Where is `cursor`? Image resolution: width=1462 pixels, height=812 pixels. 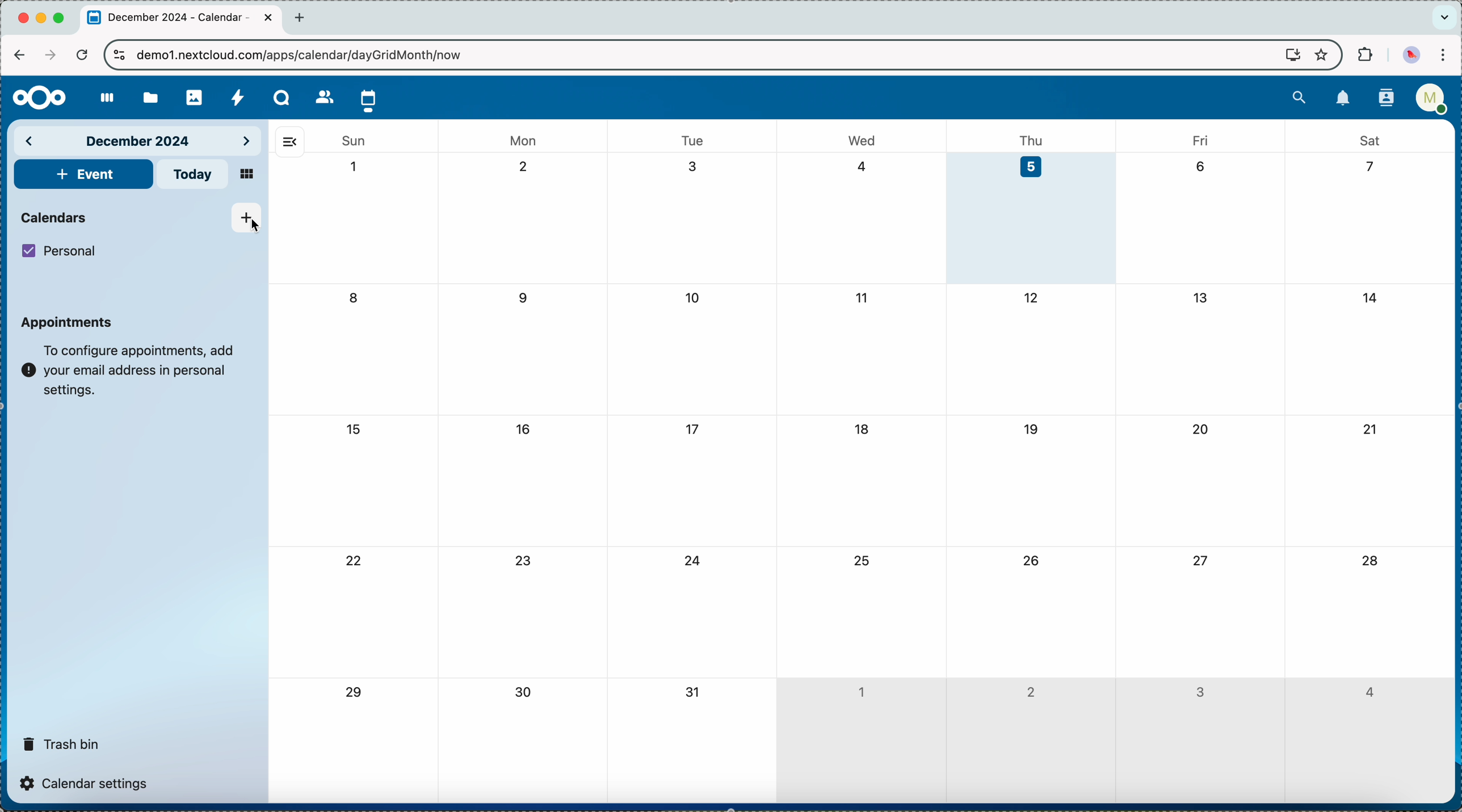 cursor is located at coordinates (257, 228).